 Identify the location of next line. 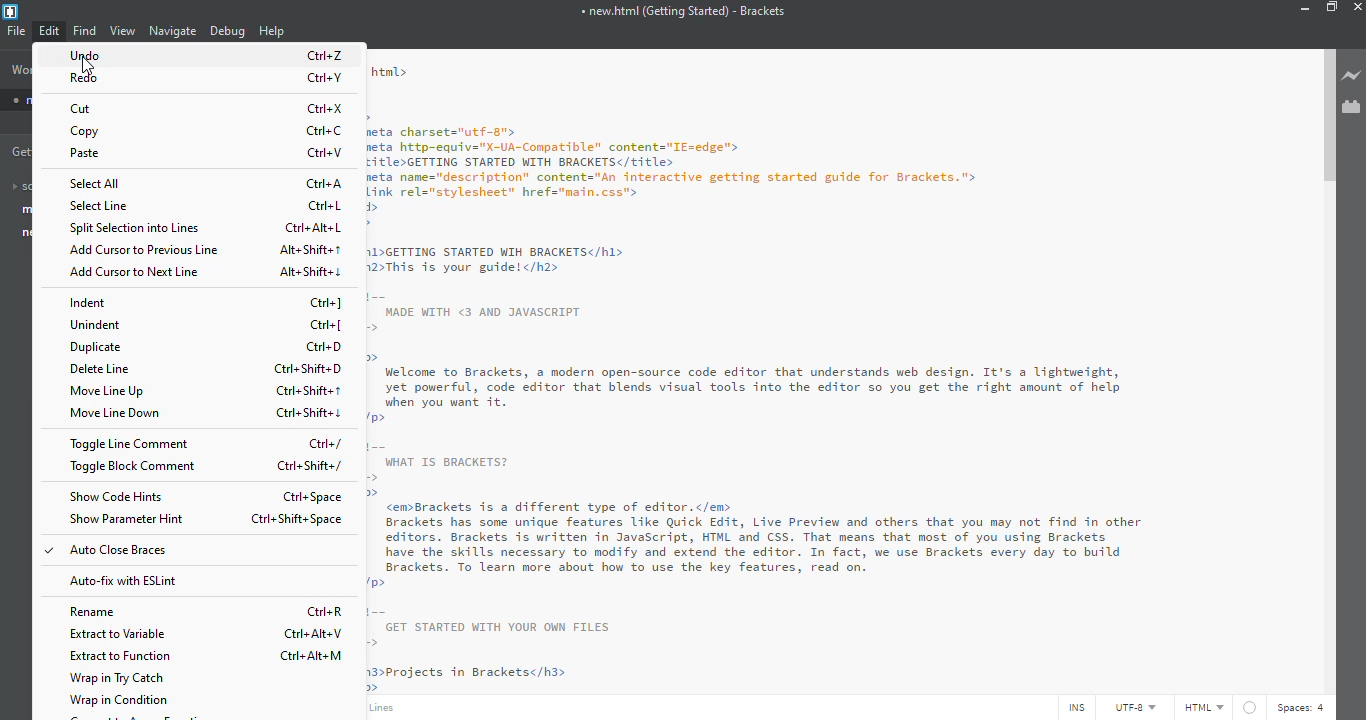
(139, 272).